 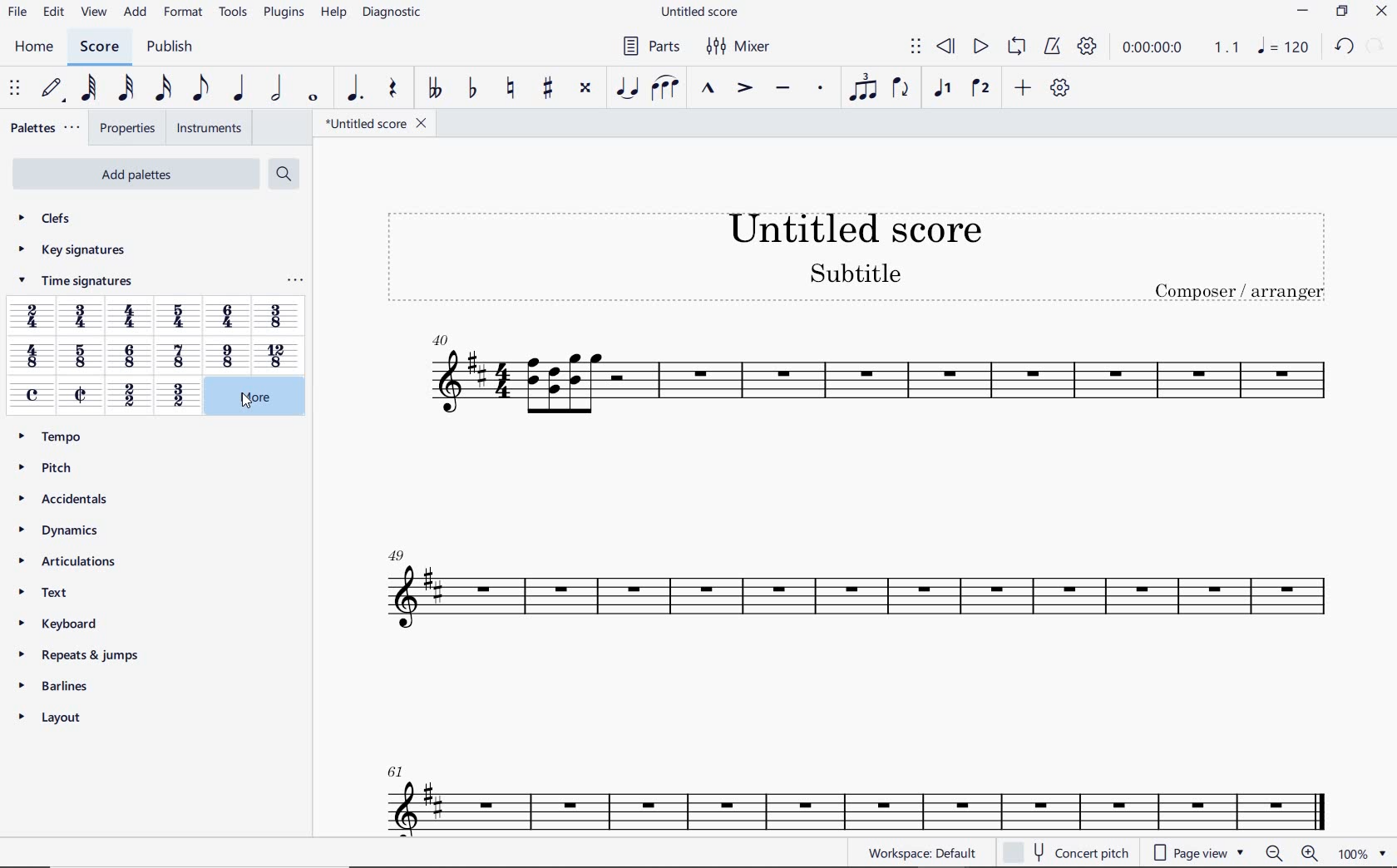 I want to click on cut time, so click(x=80, y=394).